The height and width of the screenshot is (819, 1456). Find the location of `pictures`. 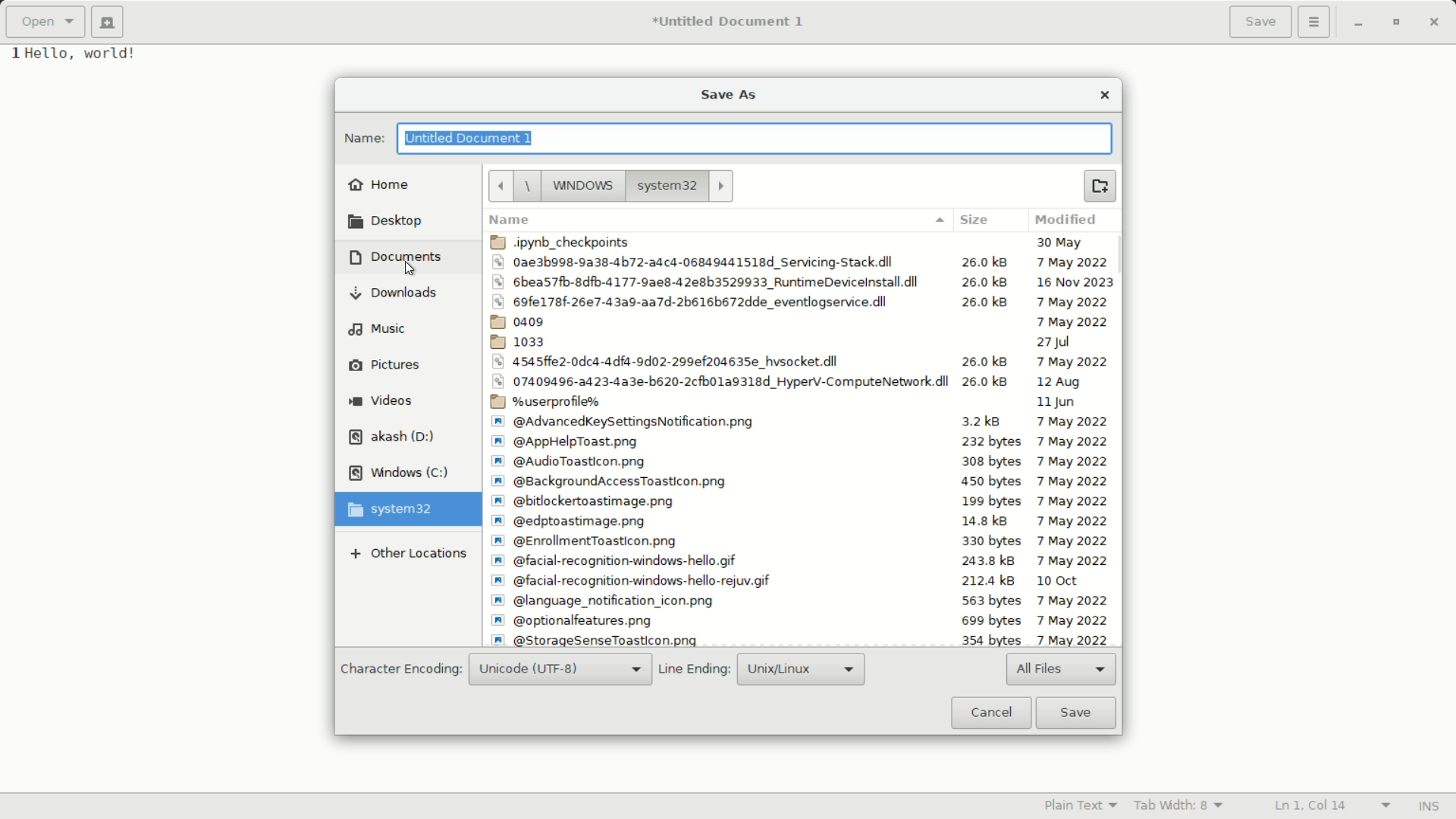

pictures is located at coordinates (384, 365).